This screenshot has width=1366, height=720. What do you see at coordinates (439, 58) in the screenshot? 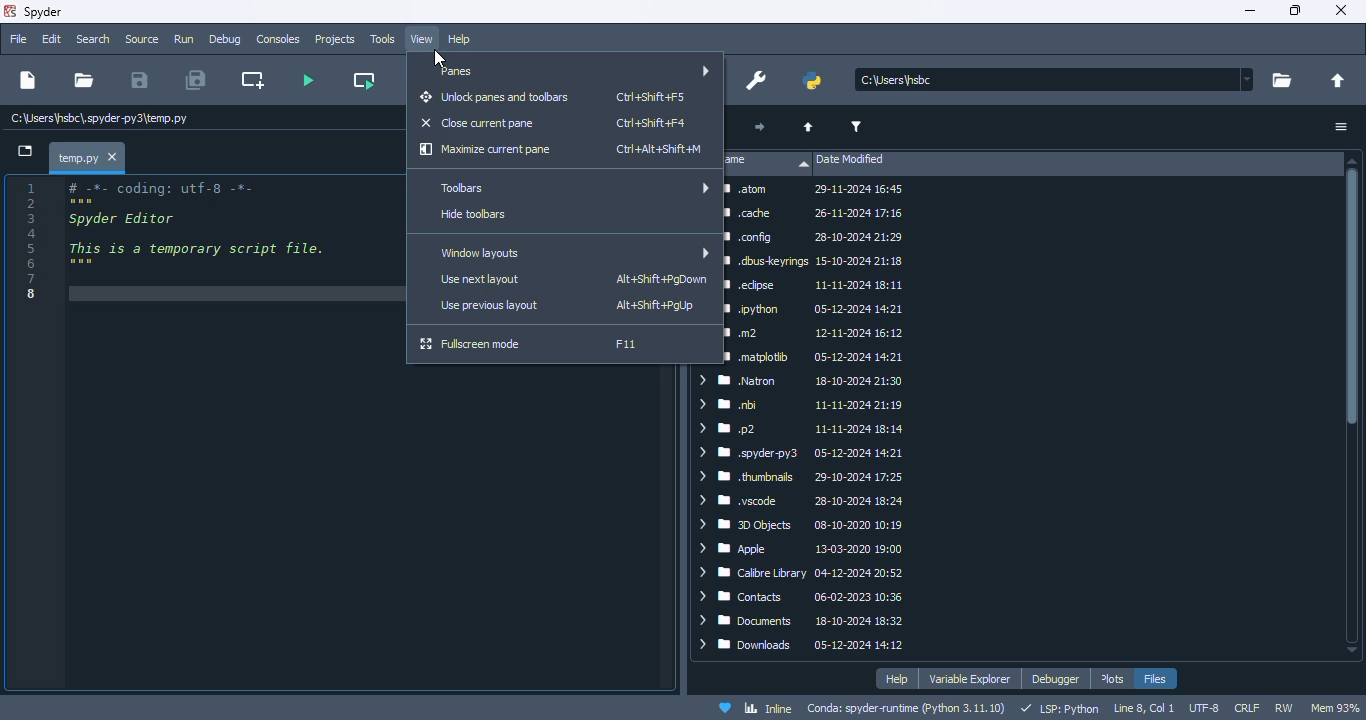
I see `cursor` at bounding box center [439, 58].